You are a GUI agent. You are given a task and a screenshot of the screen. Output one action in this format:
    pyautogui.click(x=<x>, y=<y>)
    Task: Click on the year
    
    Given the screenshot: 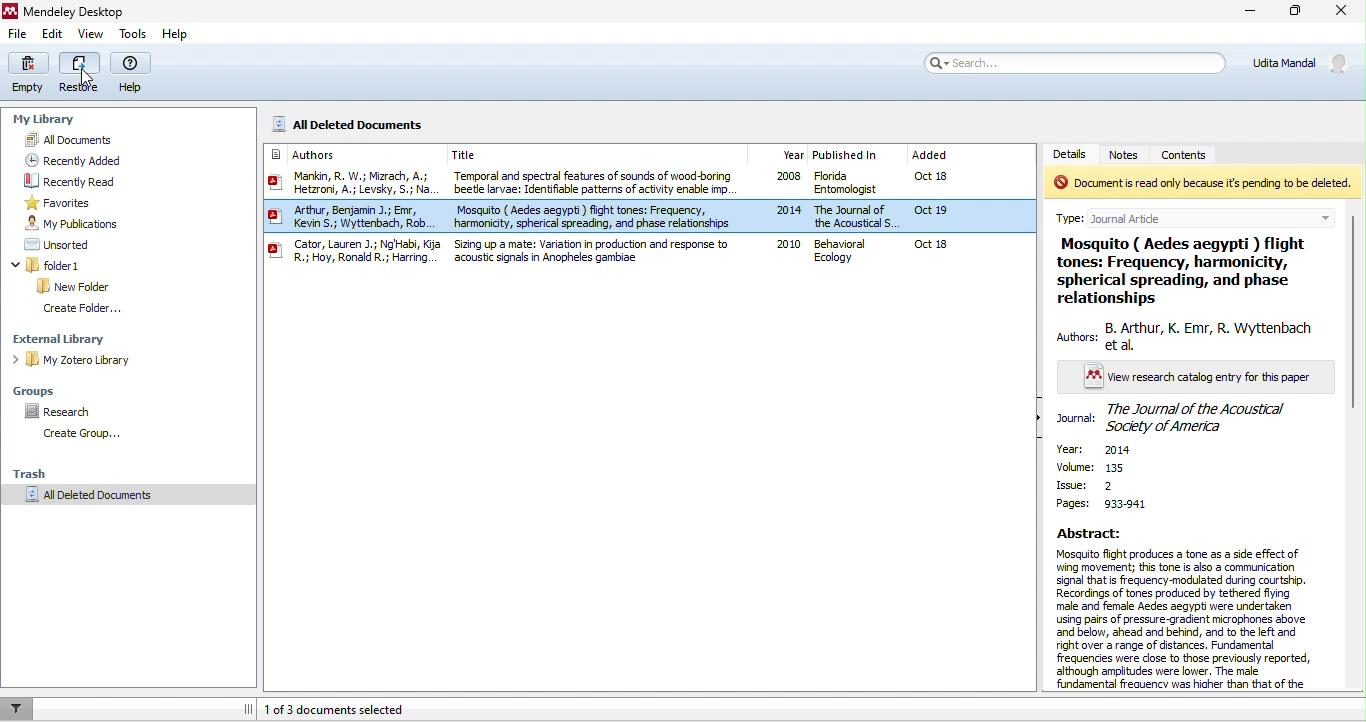 What is the action you would take?
    pyautogui.click(x=791, y=153)
    